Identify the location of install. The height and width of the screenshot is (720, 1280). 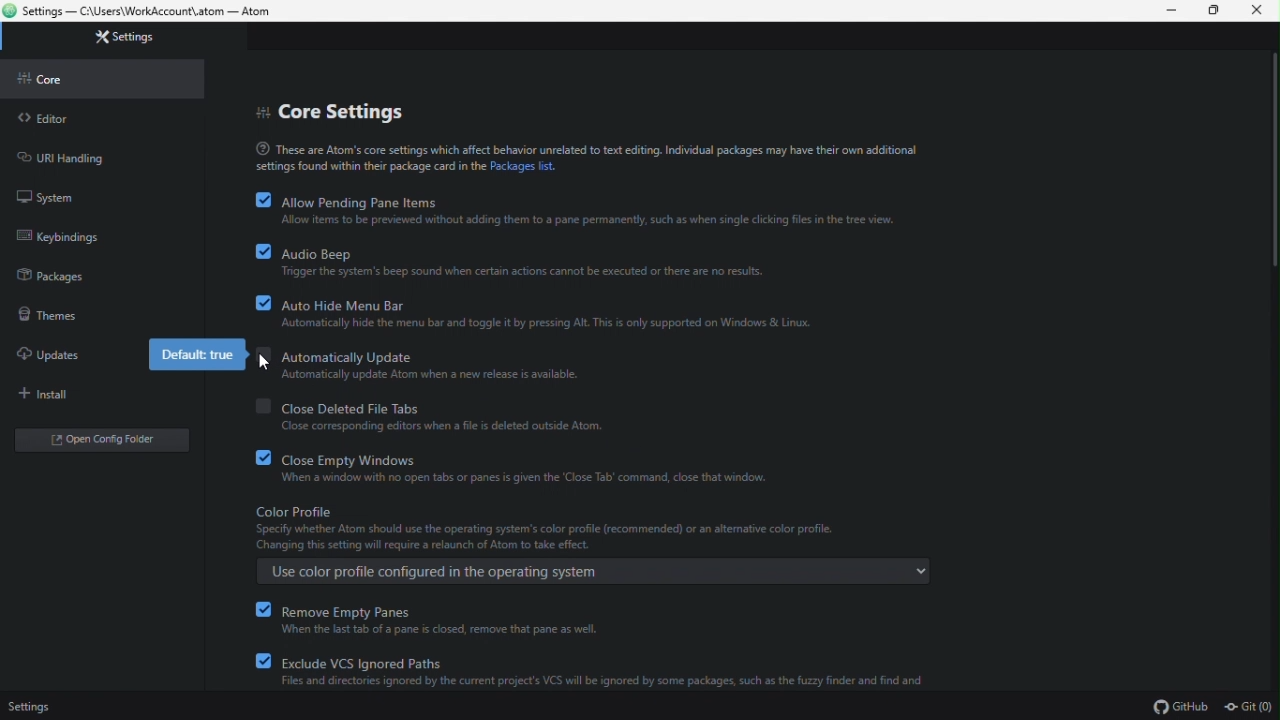
(55, 391).